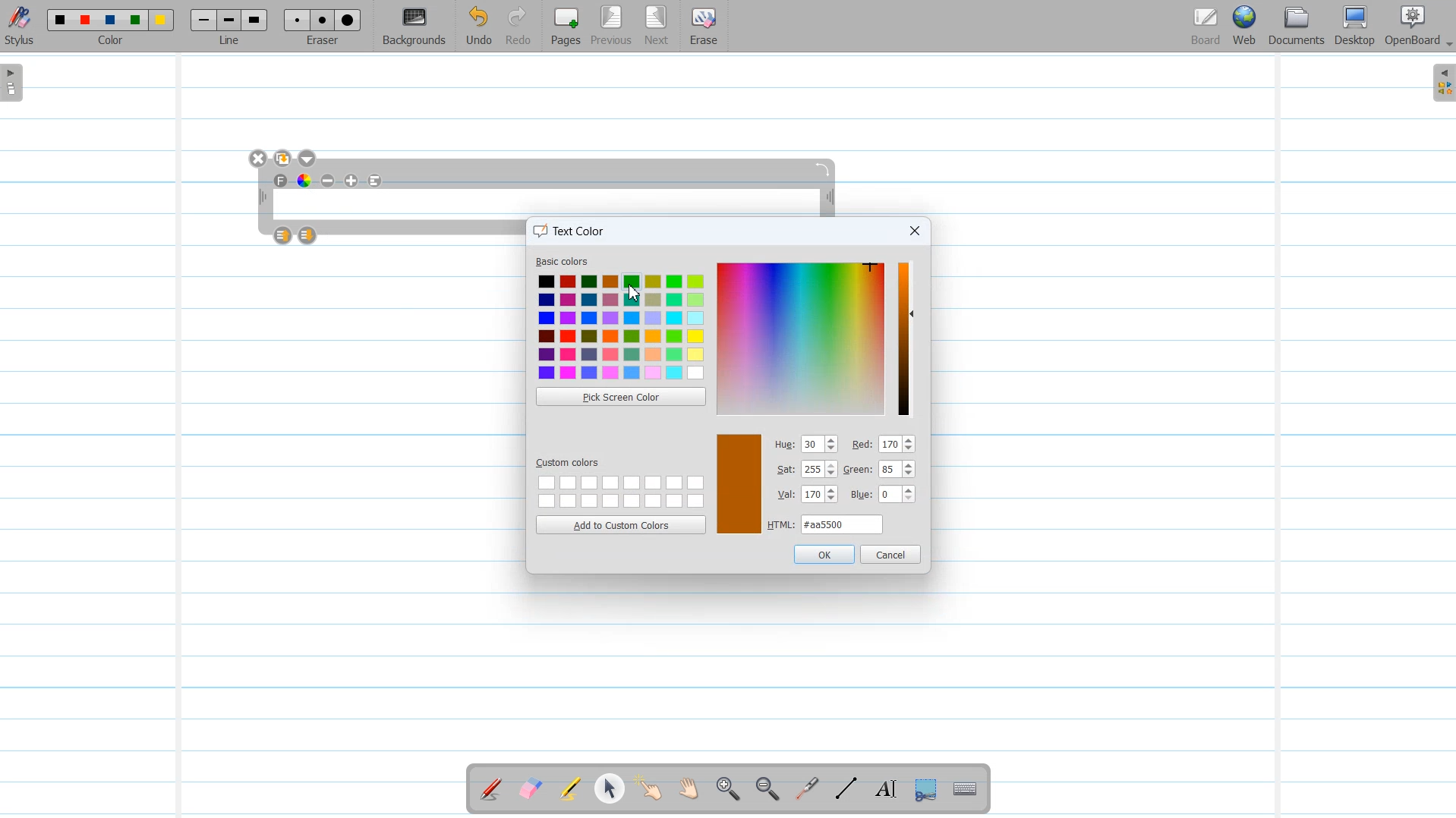  Describe the element at coordinates (807, 496) in the screenshot. I see `Val Adjuster` at that location.